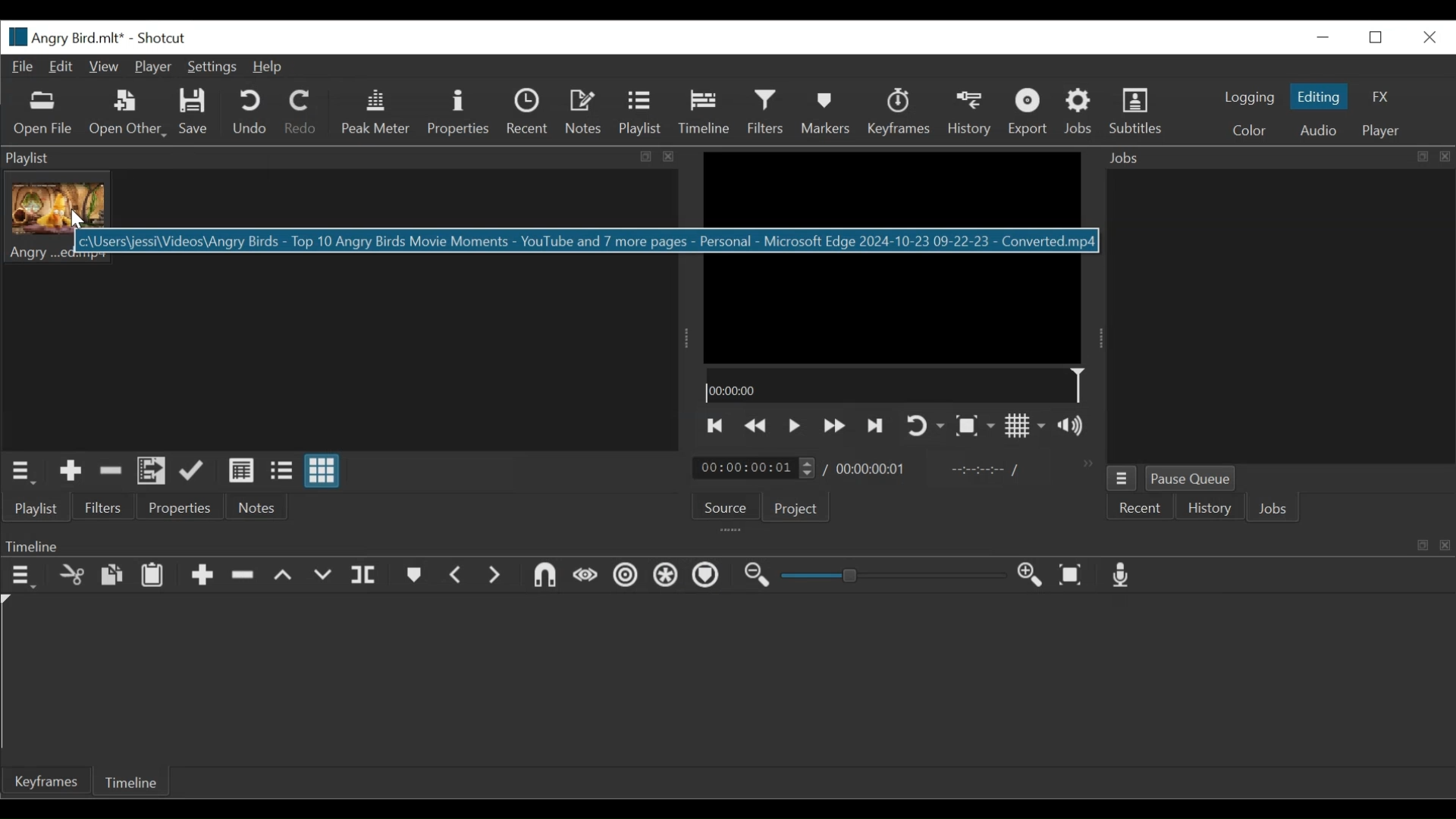 The height and width of the screenshot is (819, 1456). Describe the element at coordinates (61, 218) in the screenshot. I see `Clip` at that location.